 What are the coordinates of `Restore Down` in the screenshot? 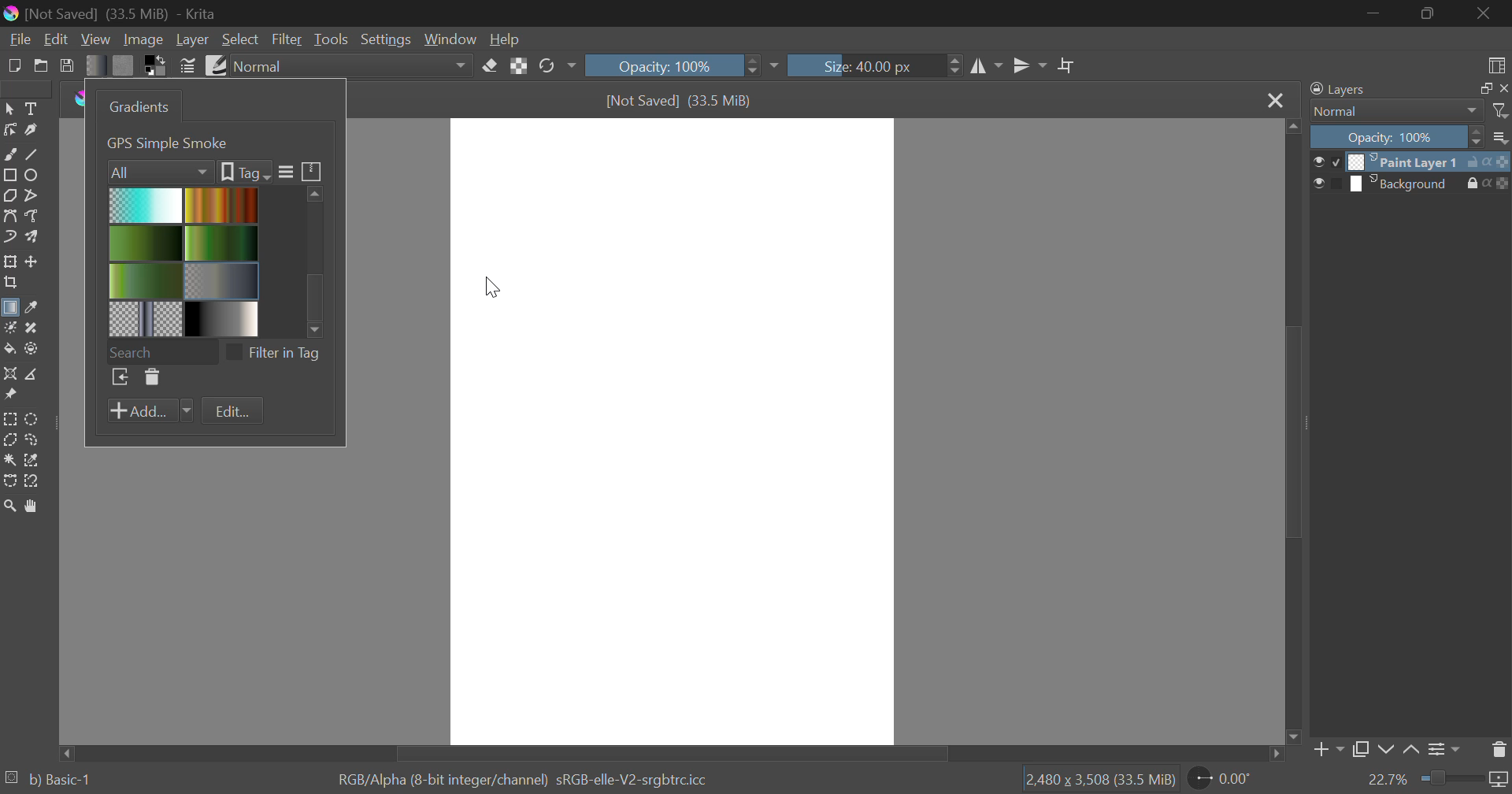 It's located at (1375, 13).